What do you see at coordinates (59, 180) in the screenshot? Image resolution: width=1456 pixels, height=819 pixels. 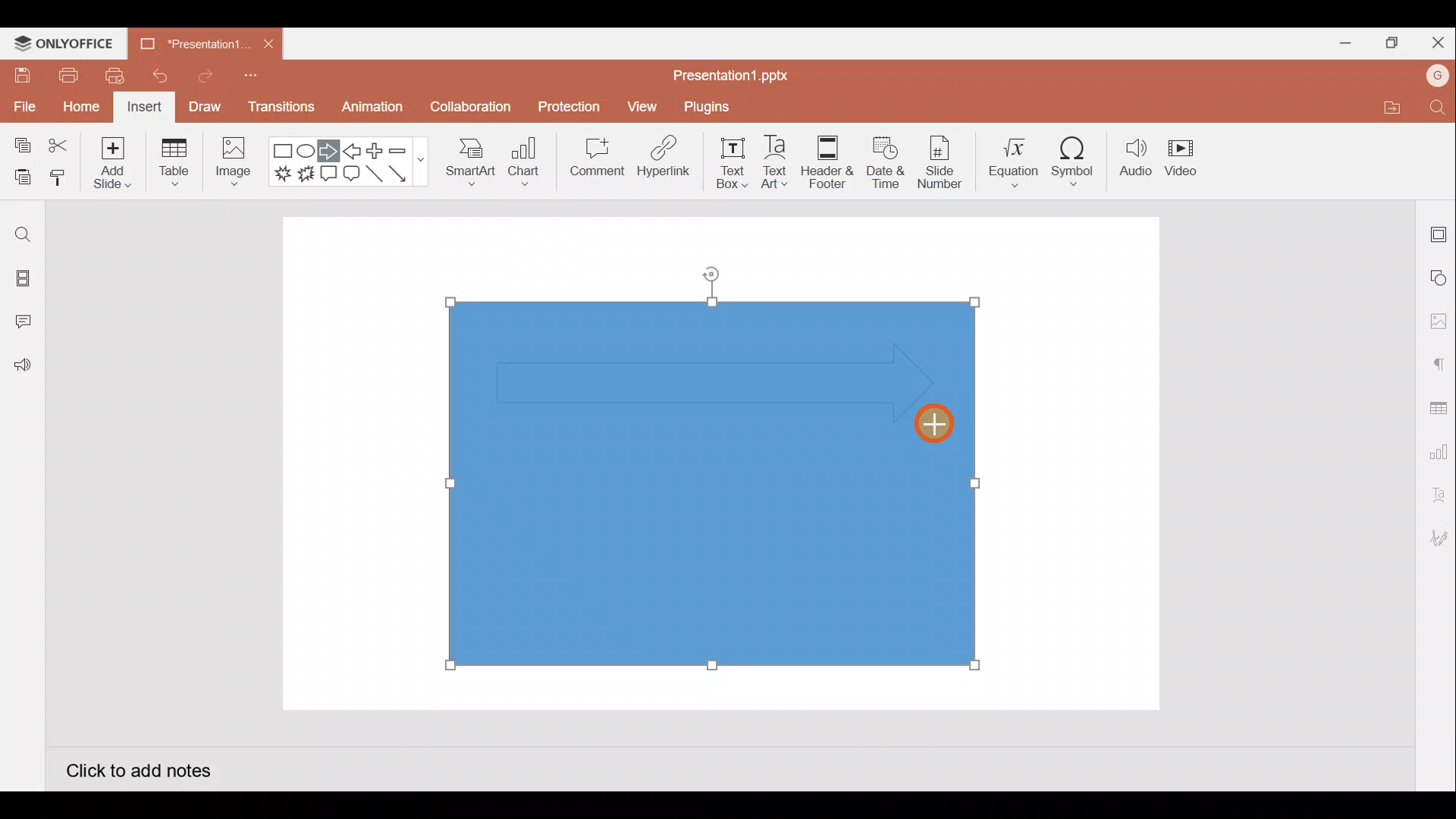 I see `Copy style` at bounding box center [59, 180].